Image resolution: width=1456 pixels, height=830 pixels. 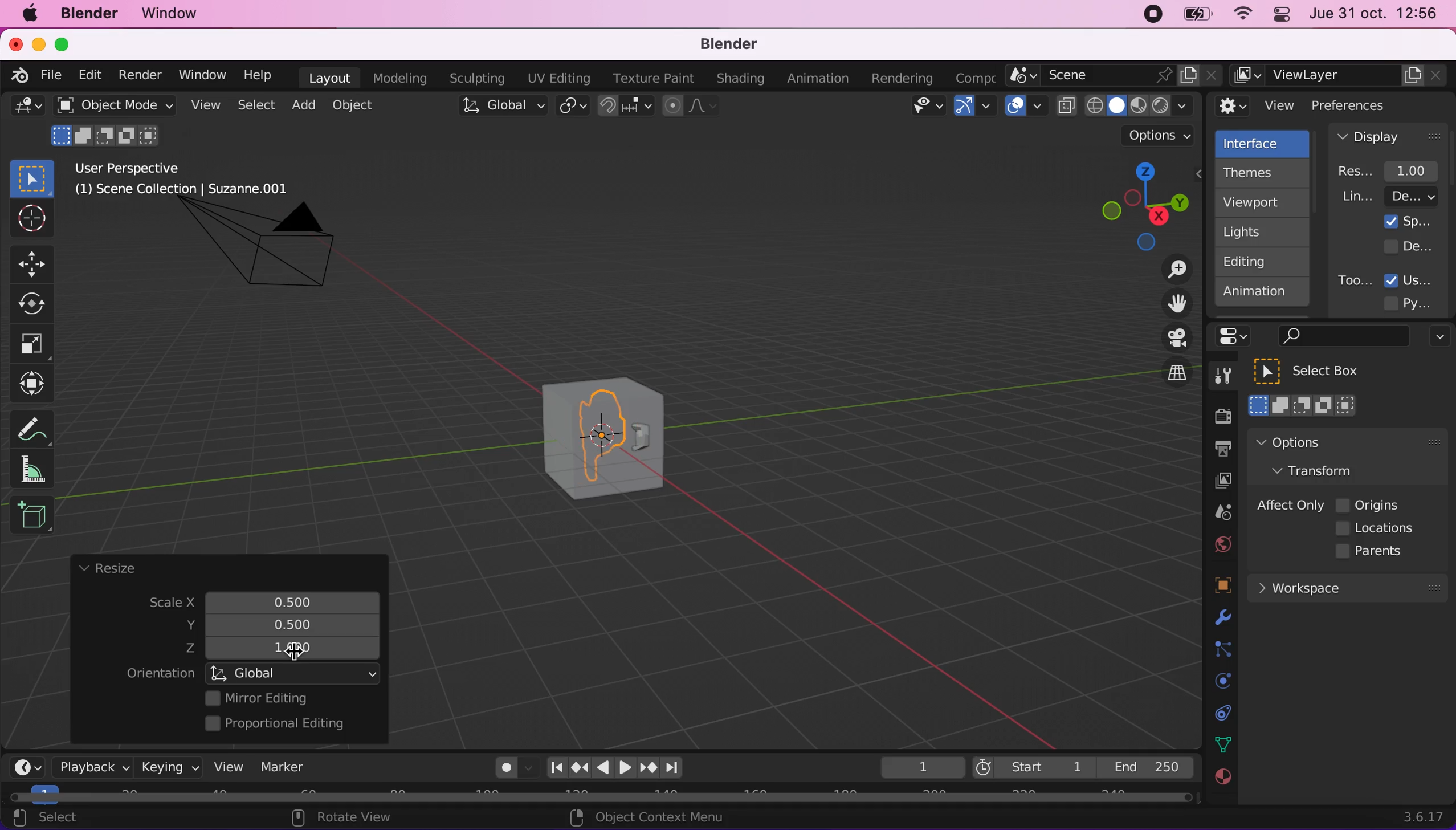 What do you see at coordinates (27, 109) in the screenshot?
I see `general` at bounding box center [27, 109].